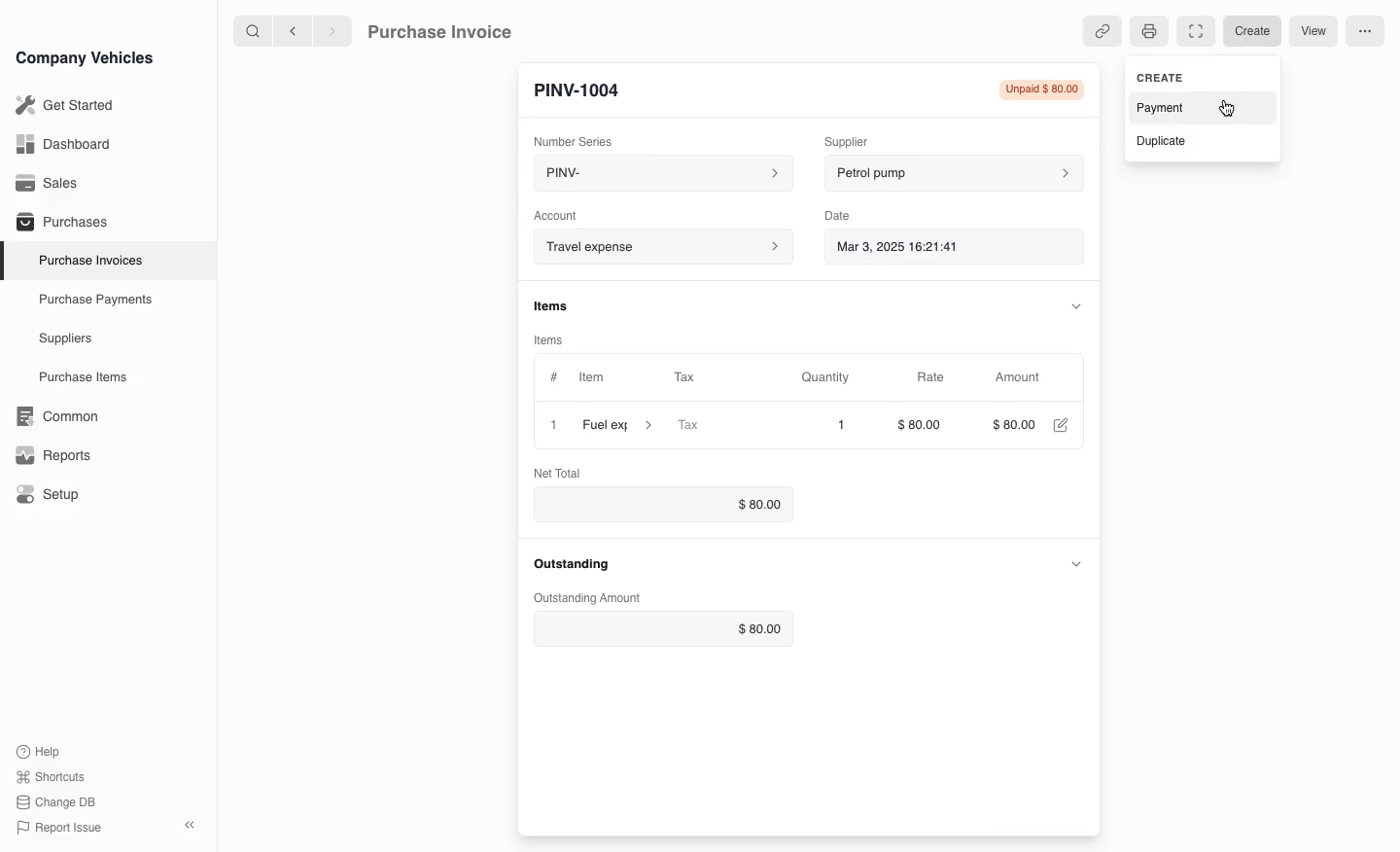 The image size is (1400, 852). Describe the element at coordinates (85, 57) in the screenshot. I see `Company Vehicles` at that location.